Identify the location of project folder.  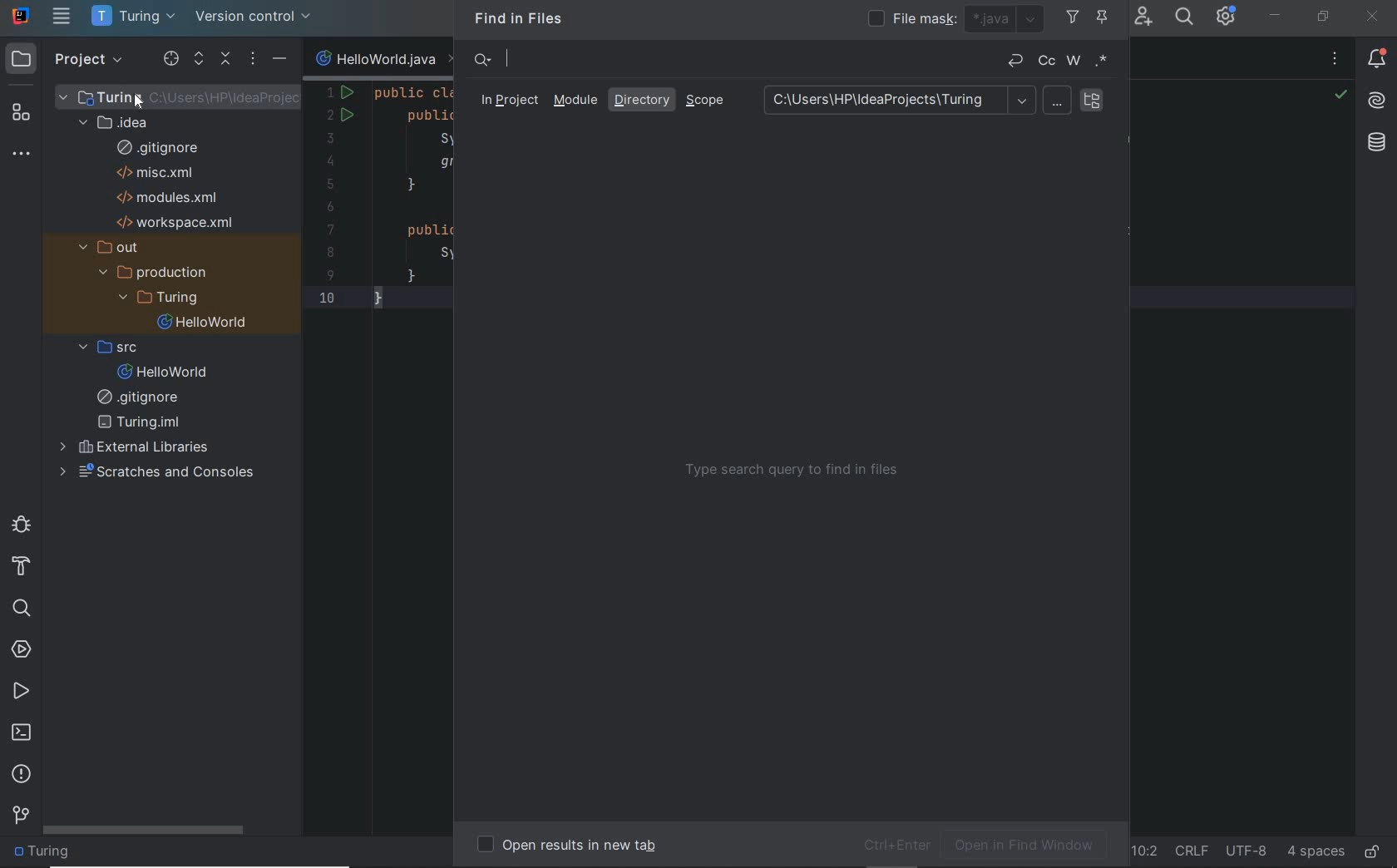
(163, 300).